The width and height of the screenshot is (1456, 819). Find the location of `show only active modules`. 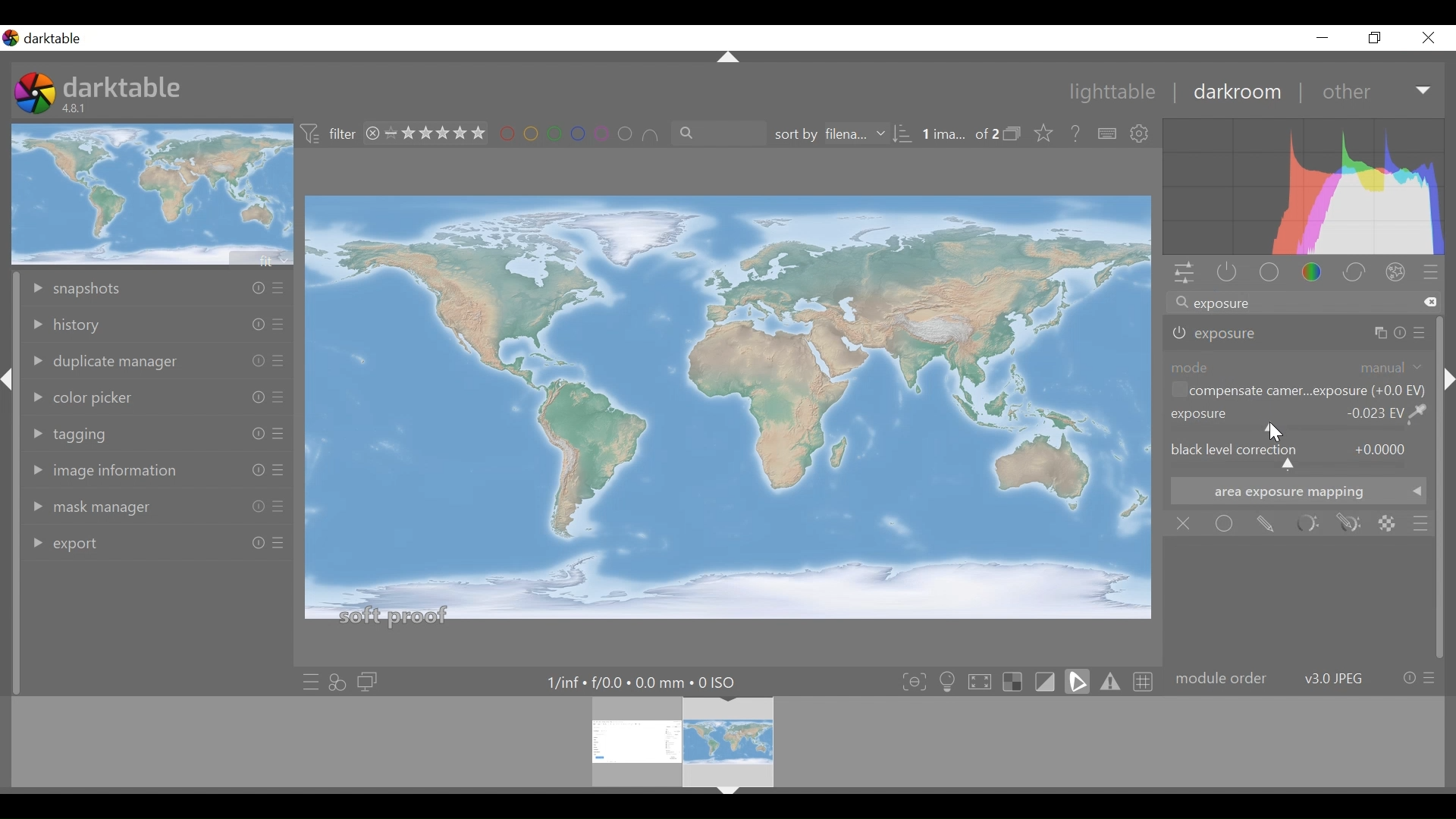

show only active modules is located at coordinates (1223, 274).